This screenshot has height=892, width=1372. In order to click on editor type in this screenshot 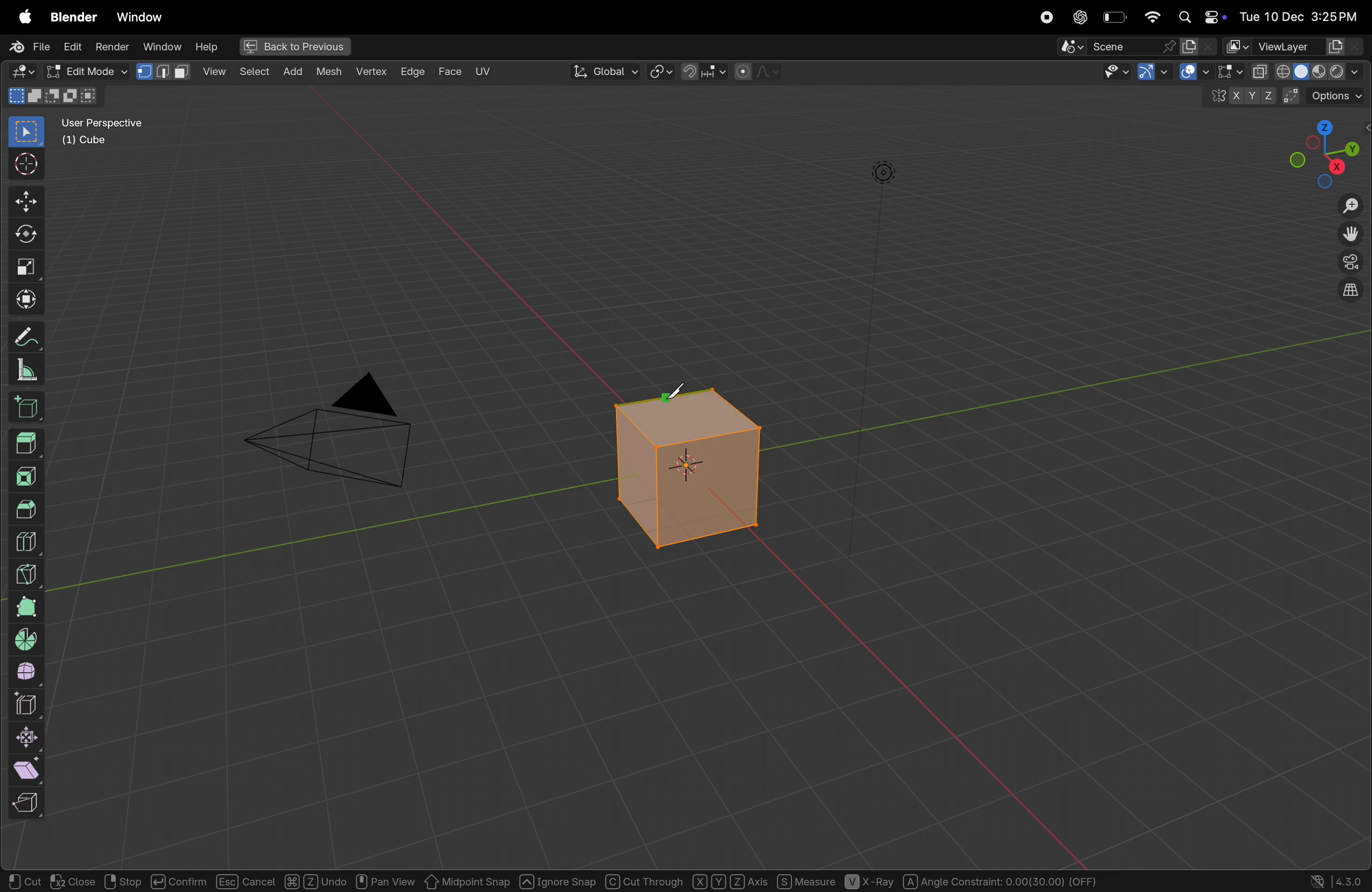, I will do `click(19, 72)`.